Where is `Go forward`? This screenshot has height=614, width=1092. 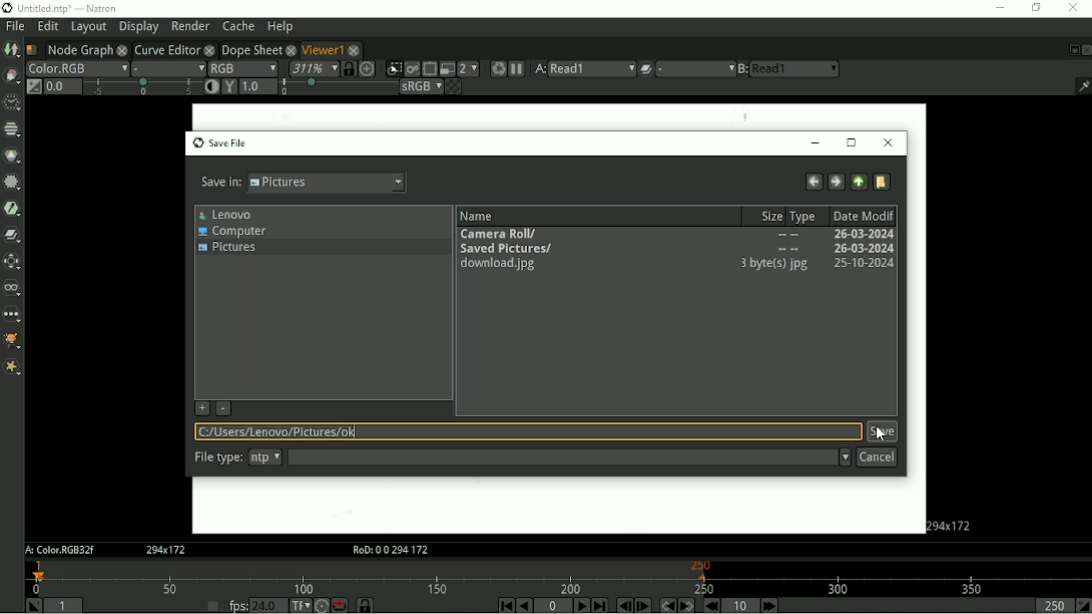 Go forward is located at coordinates (835, 182).